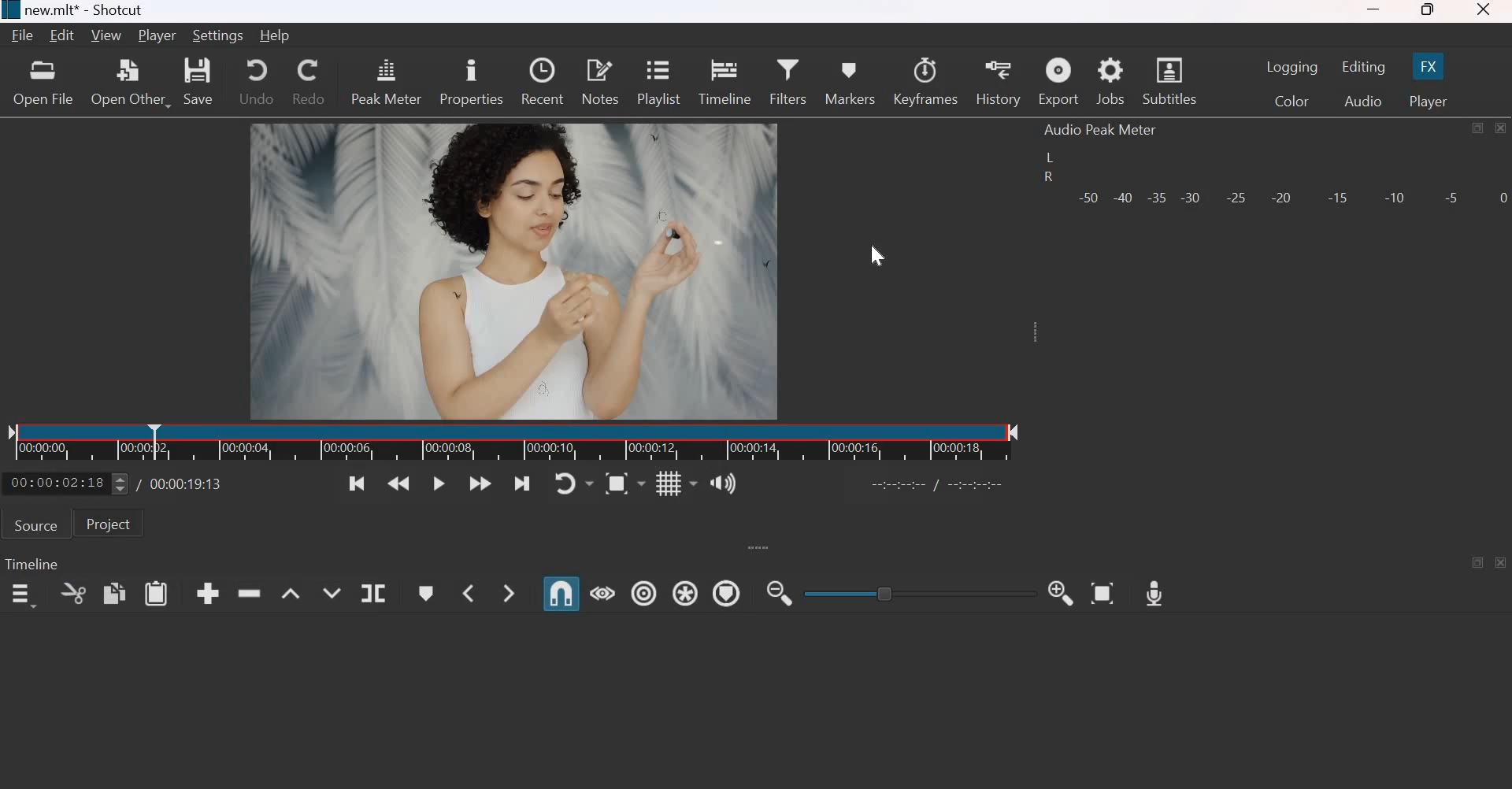  What do you see at coordinates (373, 592) in the screenshot?
I see `Split at playhead` at bounding box center [373, 592].